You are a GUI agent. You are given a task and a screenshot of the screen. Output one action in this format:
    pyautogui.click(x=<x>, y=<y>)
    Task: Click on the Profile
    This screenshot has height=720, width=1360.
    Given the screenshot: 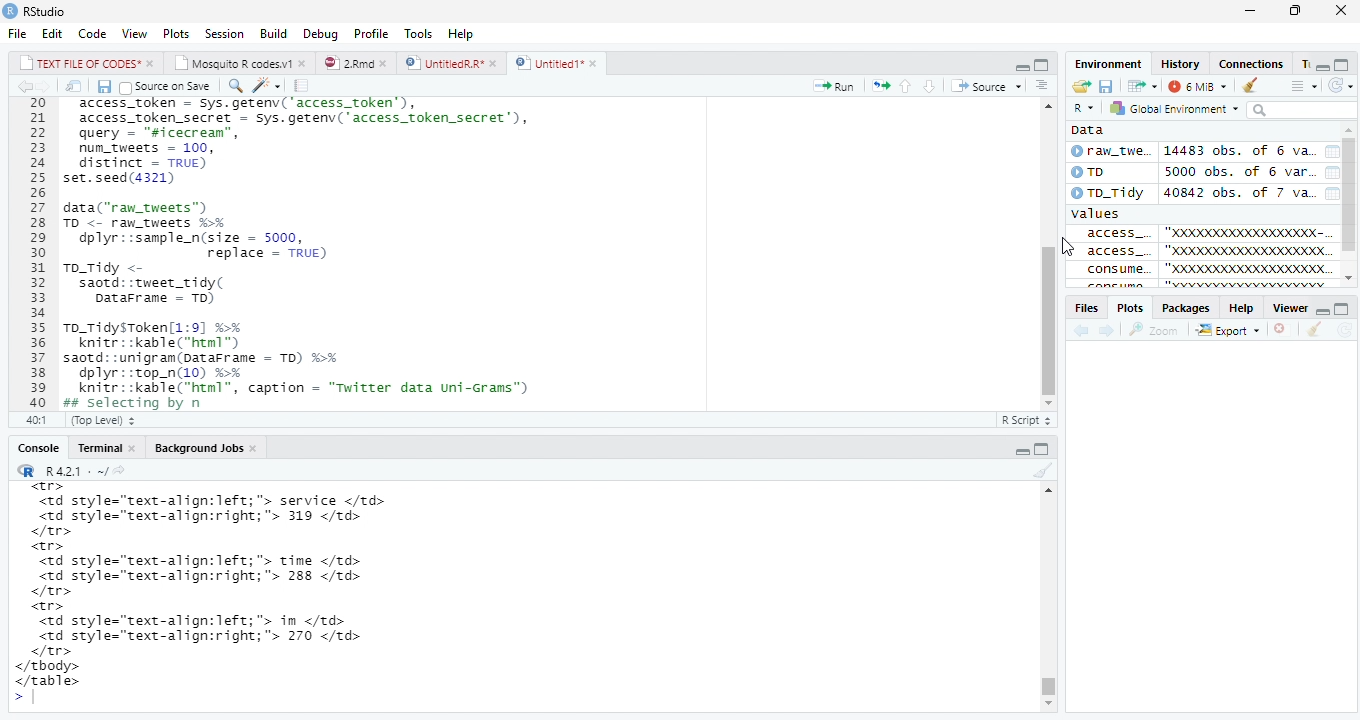 What is the action you would take?
    pyautogui.click(x=371, y=32)
    